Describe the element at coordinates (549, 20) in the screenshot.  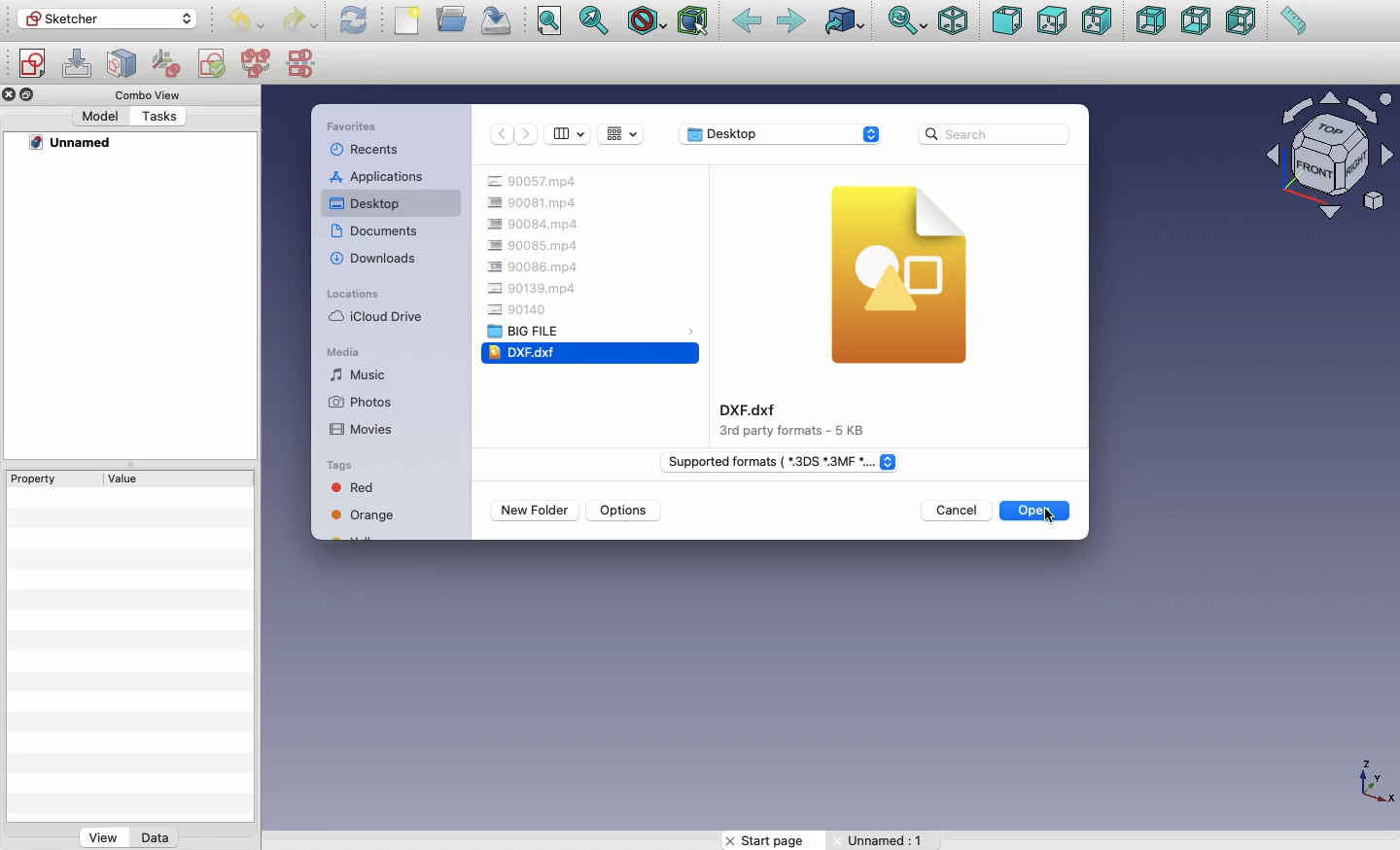
I see `Fit all` at that location.